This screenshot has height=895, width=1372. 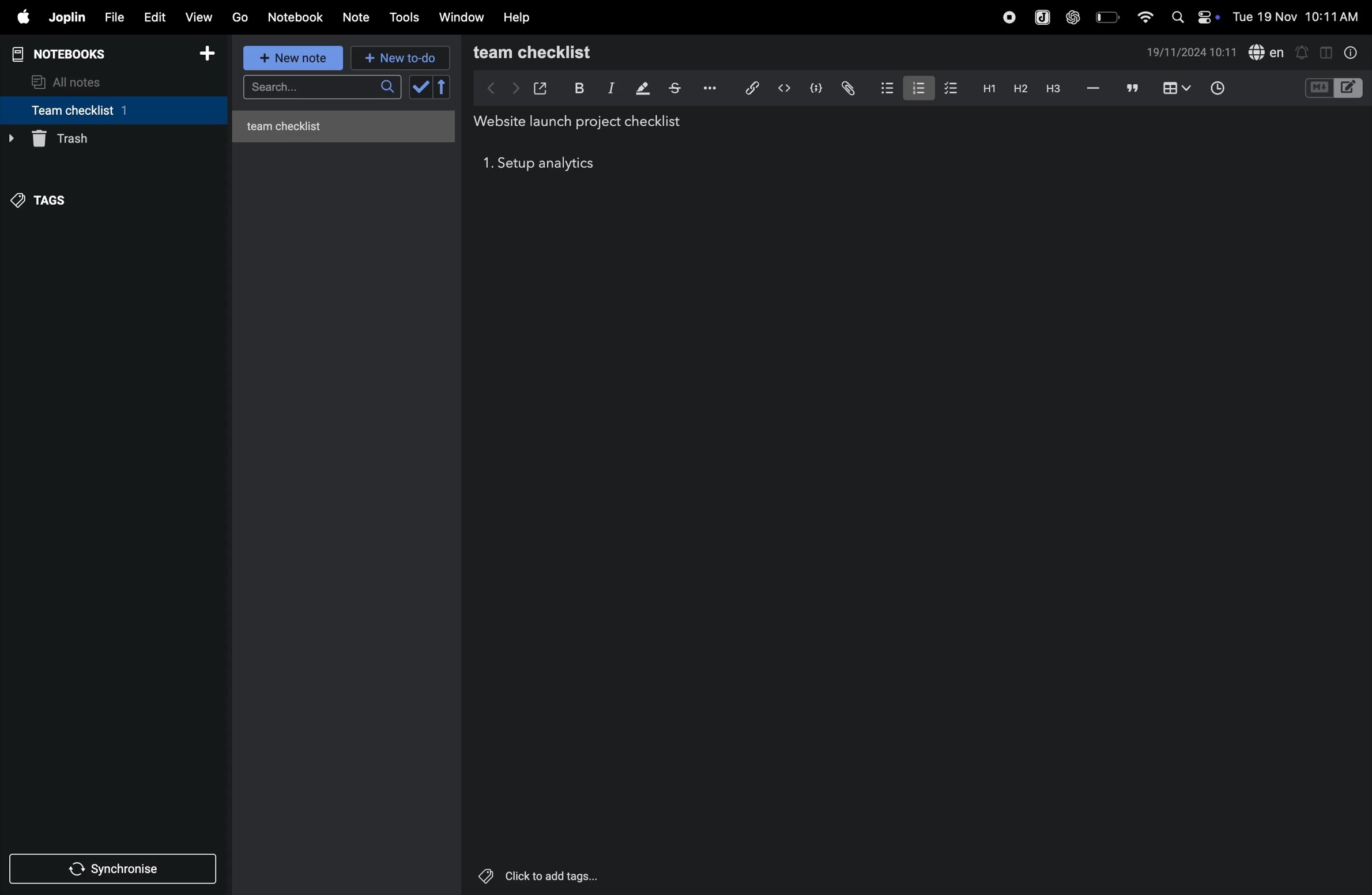 What do you see at coordinates (1005, 17) in the screenshot?
I see `record` at bounding box center [1005, 17].